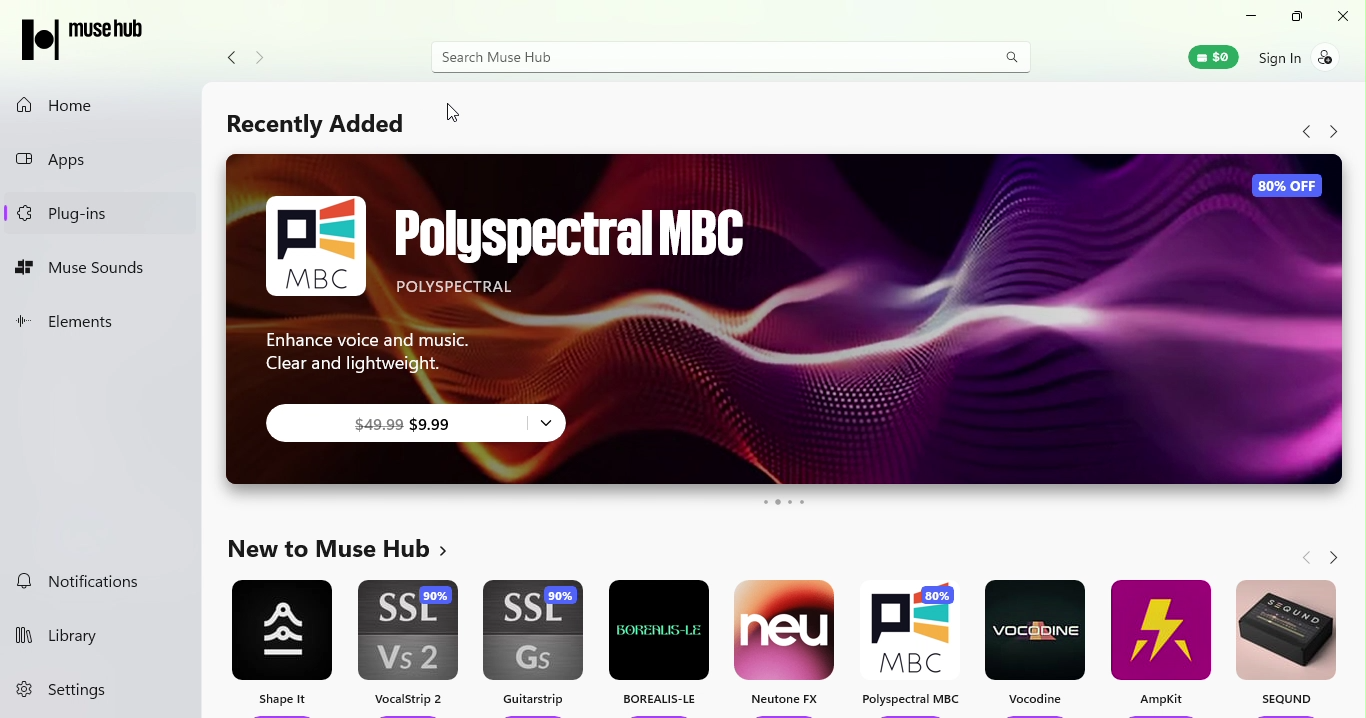 This screenshot has width=1366, height=718. What do you see at coordinates (1248, 13) in the screenshot?
I see `Minimize` at bounding box center [1248, 13].